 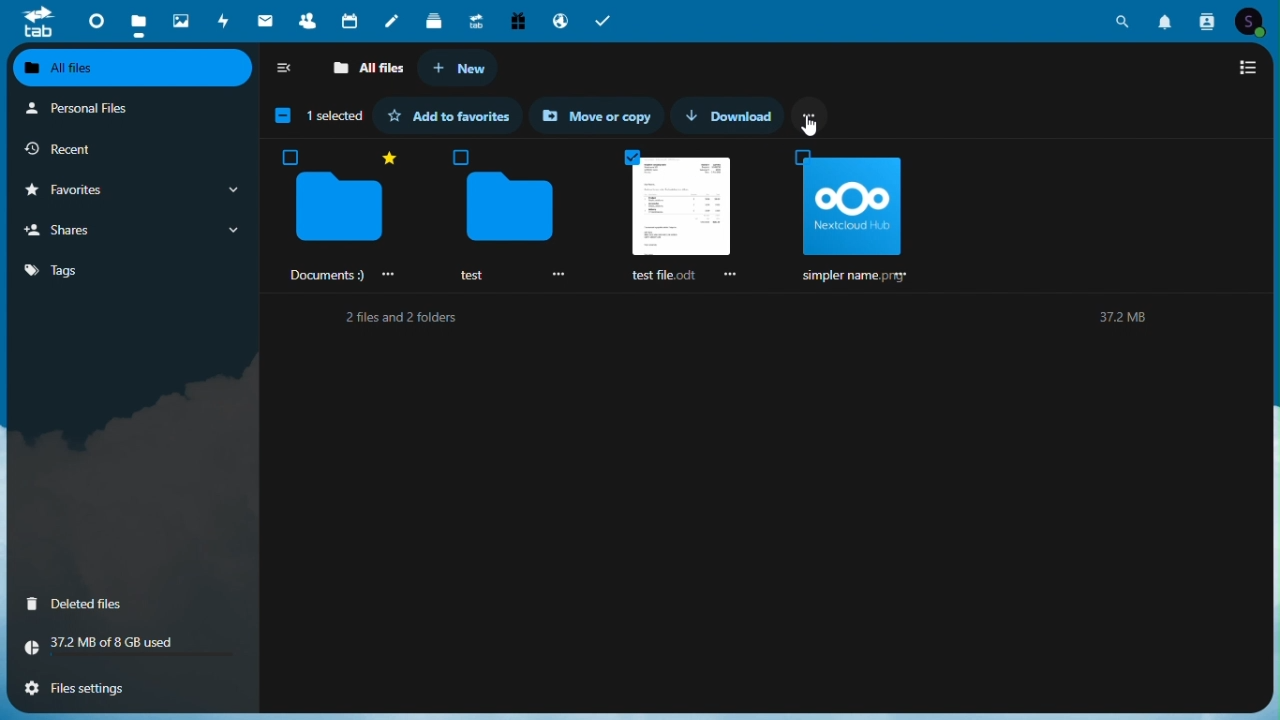 I want to click on mail, so click(x=267, y=19).